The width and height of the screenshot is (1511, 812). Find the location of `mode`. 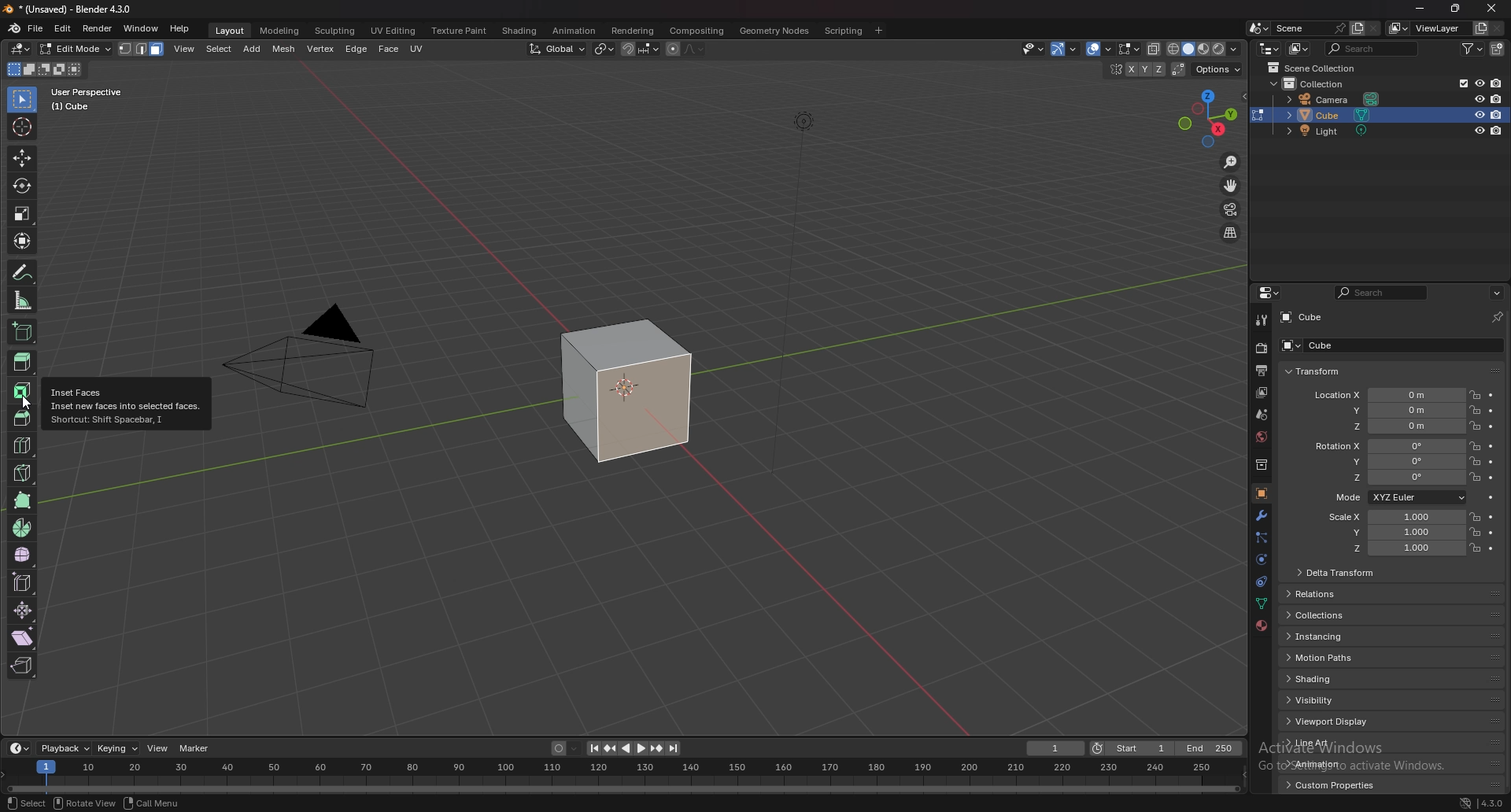

mode is located at coordinates (45, 69).